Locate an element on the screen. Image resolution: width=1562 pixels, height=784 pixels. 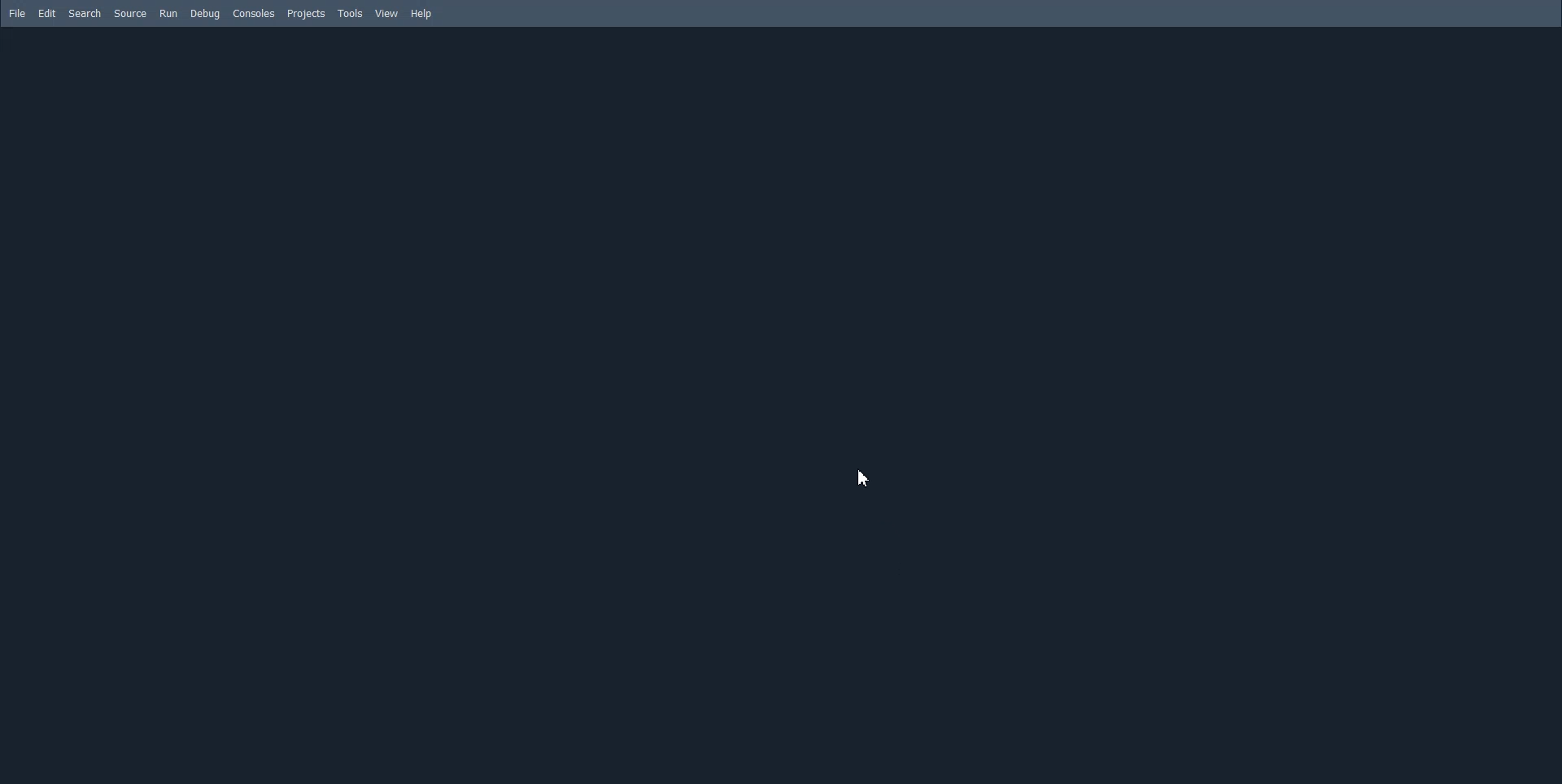
Consoles is located at coordinates (254, 14).